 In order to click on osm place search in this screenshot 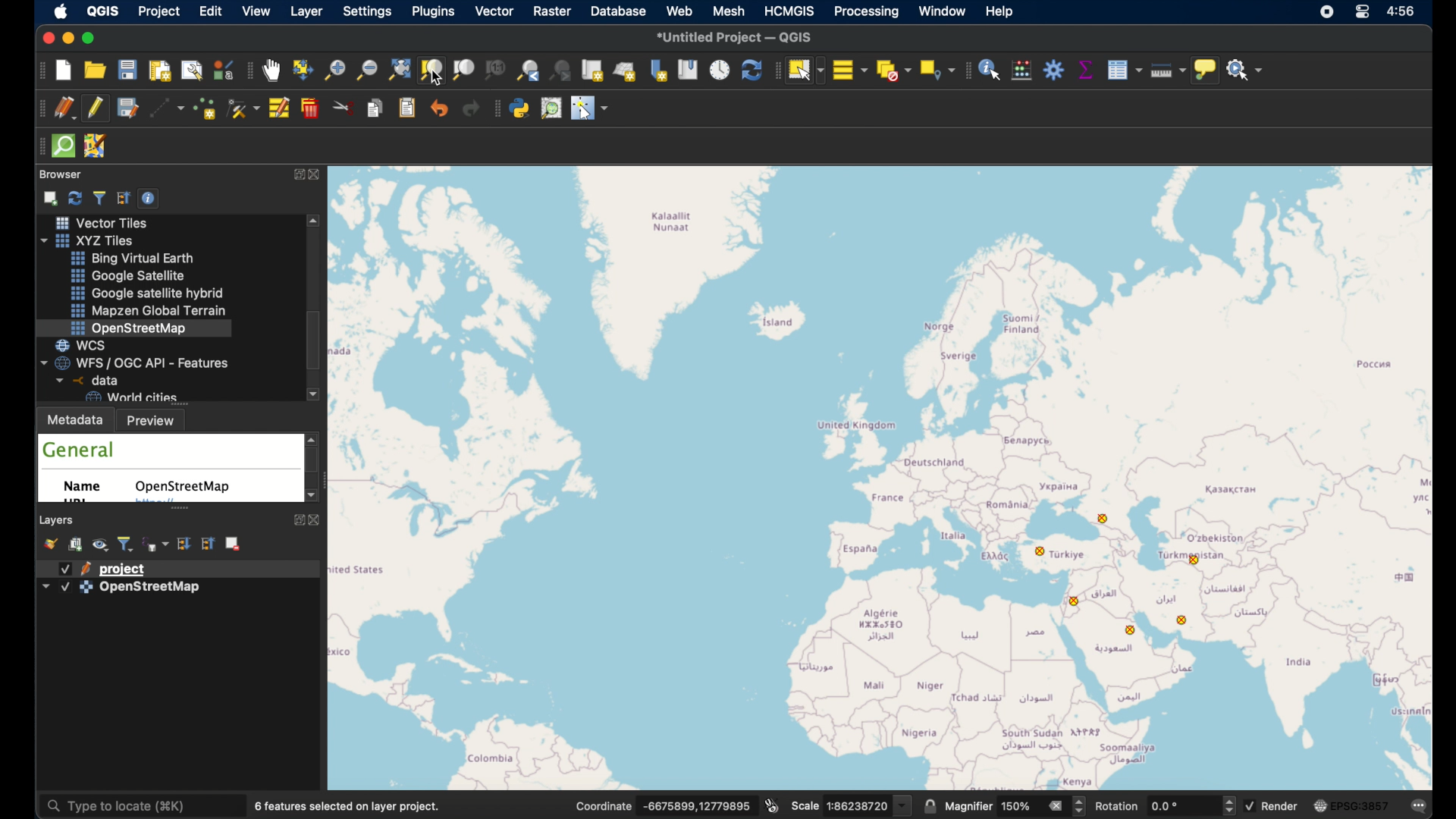, I will do `click(553, 108)`.